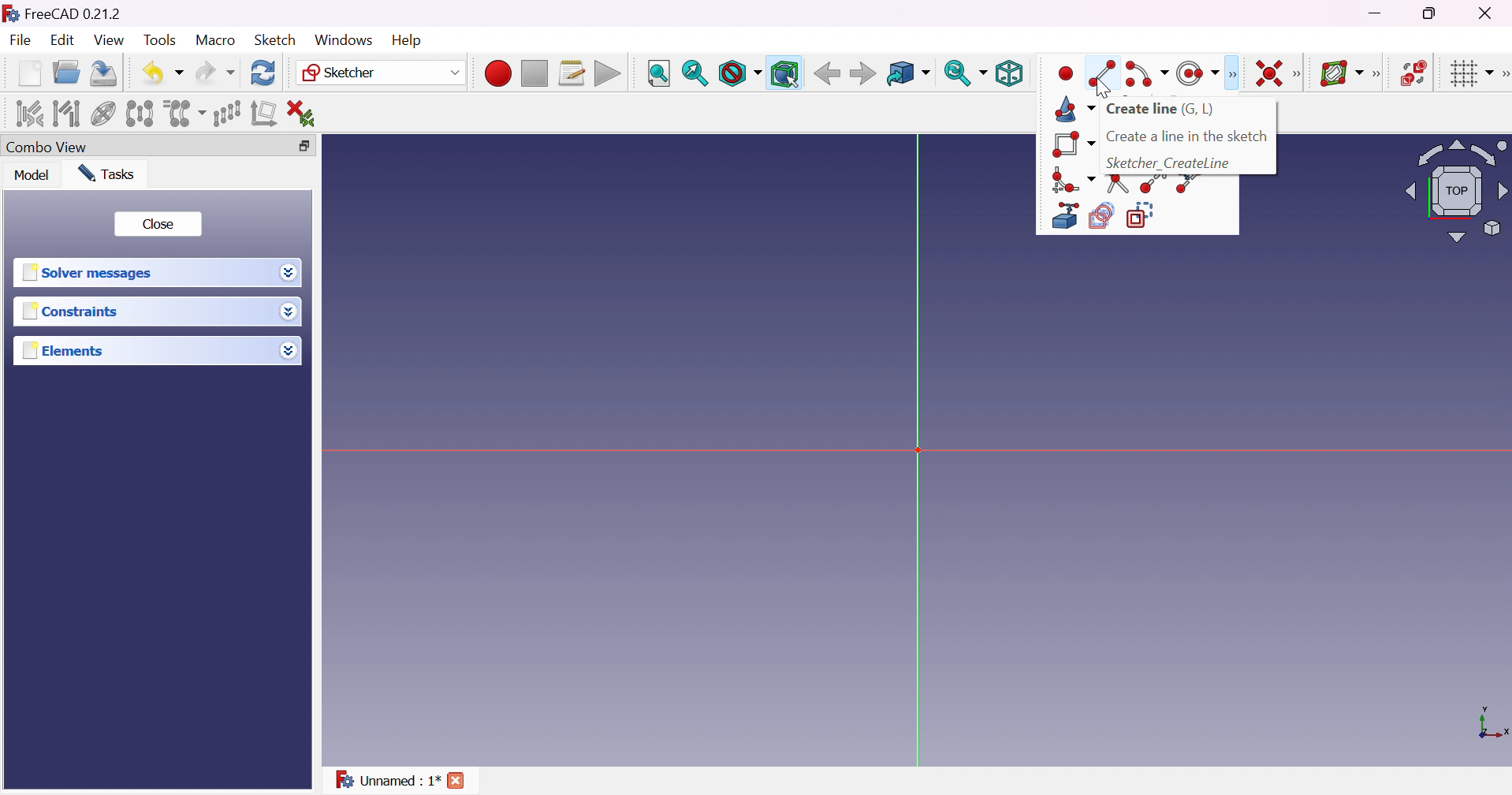 The height and width of the screenshot is (795, 1512). Describe the element at coordinates (214, 40) in the screenshot. I see `Macro` at that location.